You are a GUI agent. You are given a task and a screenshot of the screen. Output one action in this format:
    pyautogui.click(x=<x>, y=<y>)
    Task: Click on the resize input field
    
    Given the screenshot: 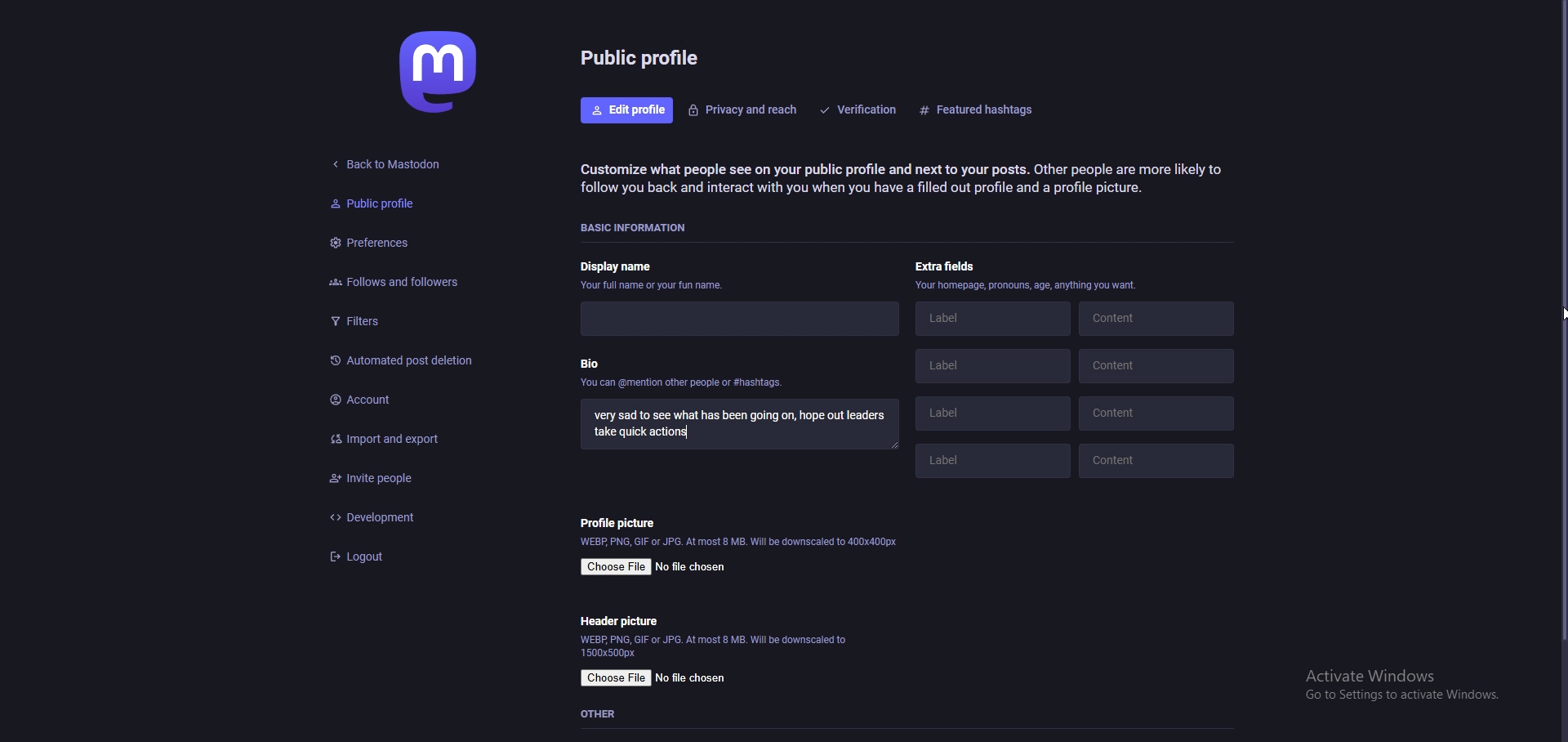 What is the action you would take?
    pyautogui.click(x=890, y=445)
    